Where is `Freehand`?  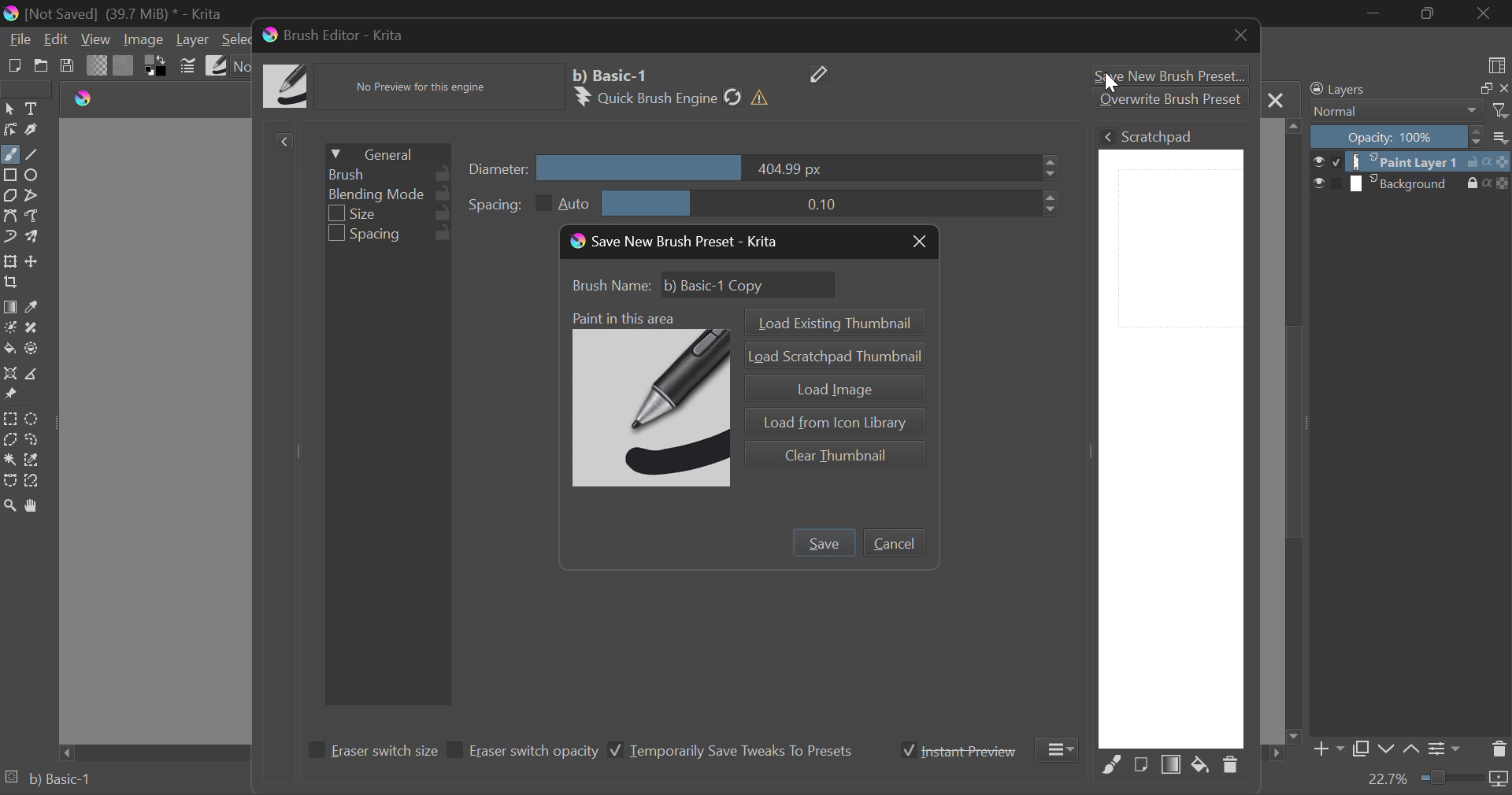 Freehand is located at coordinates (10, 154).